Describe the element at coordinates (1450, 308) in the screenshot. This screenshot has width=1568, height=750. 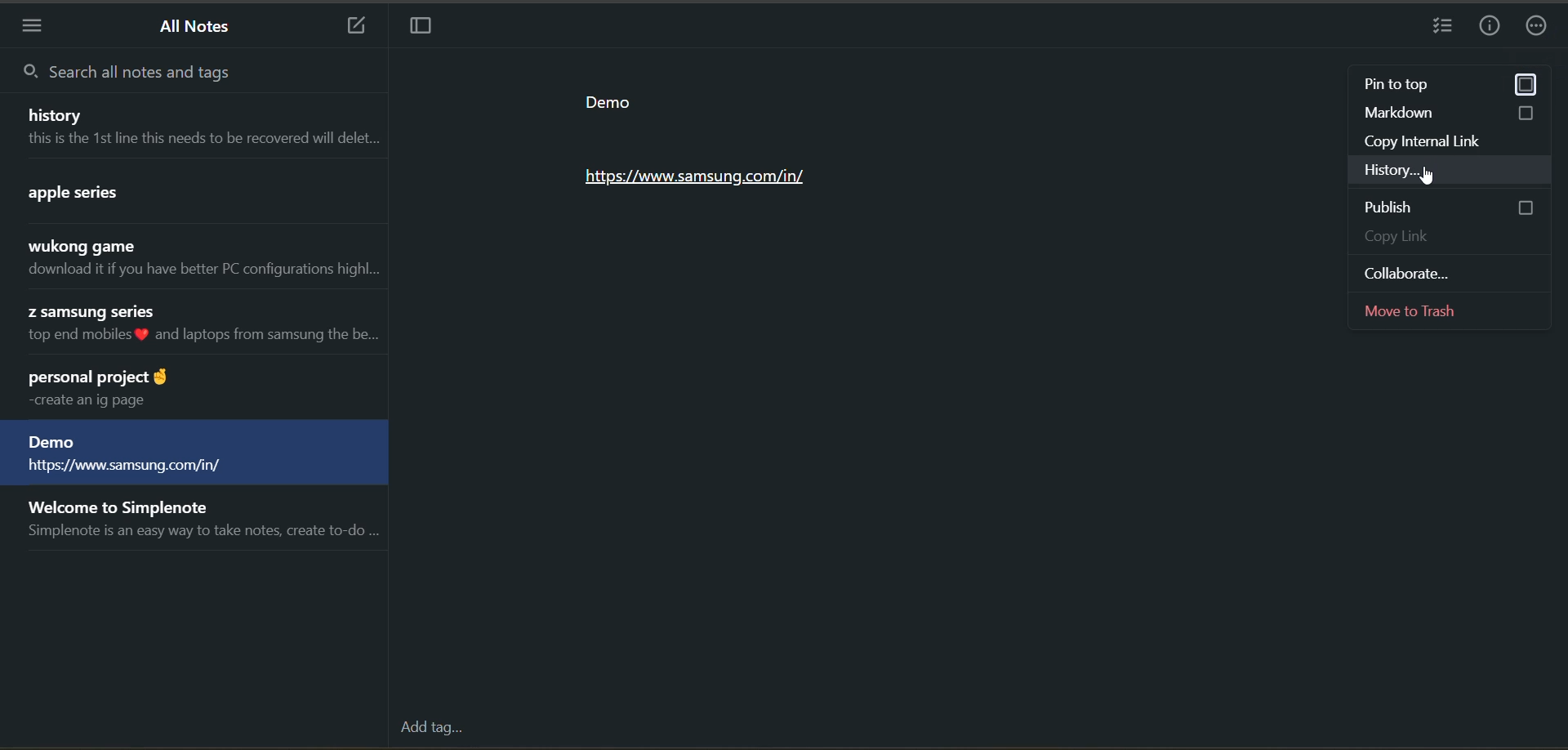
I see `move to trash` at that location.